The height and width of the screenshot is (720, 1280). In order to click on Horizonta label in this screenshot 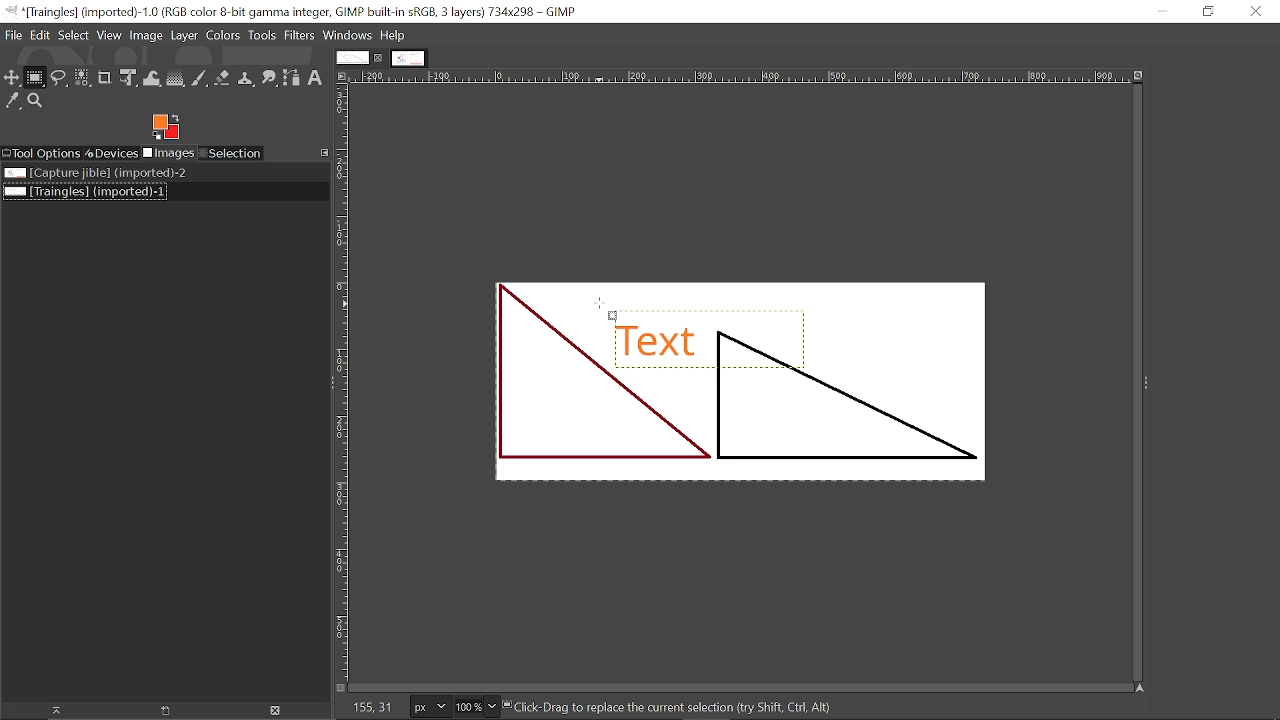, I will do `click(740, 77)`.